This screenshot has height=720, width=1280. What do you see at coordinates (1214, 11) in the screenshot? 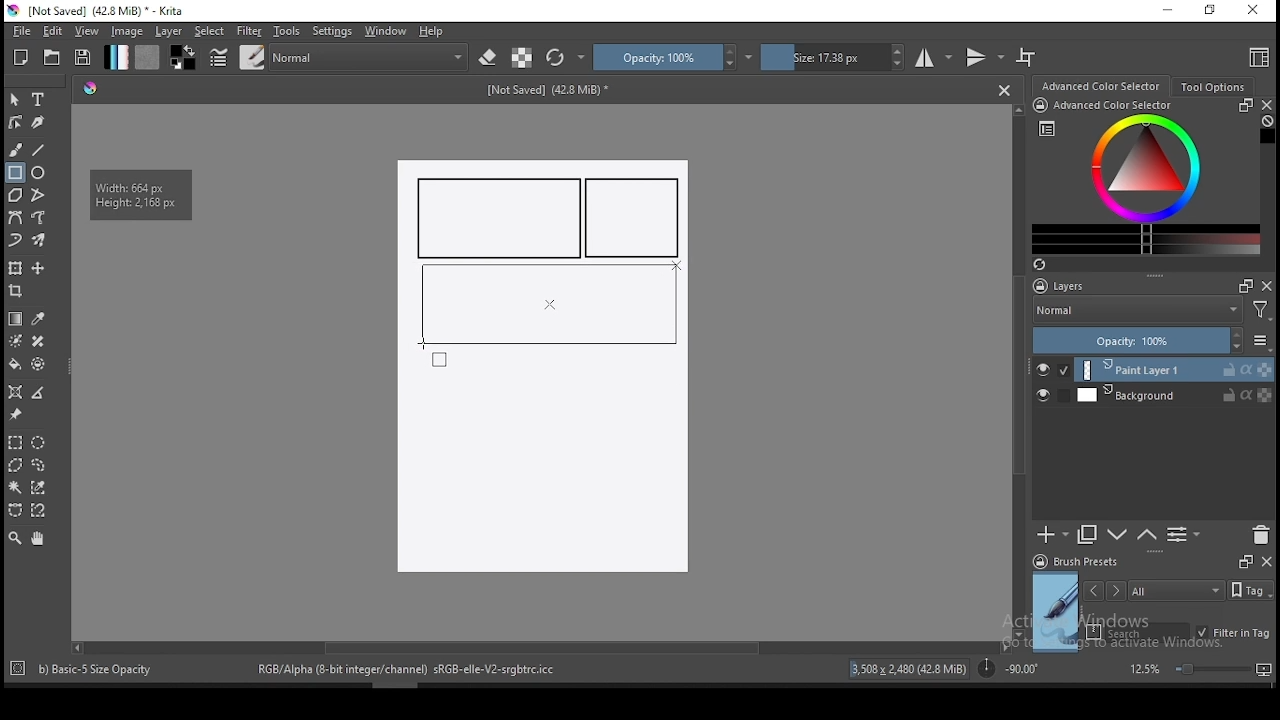
I see `restore` at bounding box center [1214, 11].